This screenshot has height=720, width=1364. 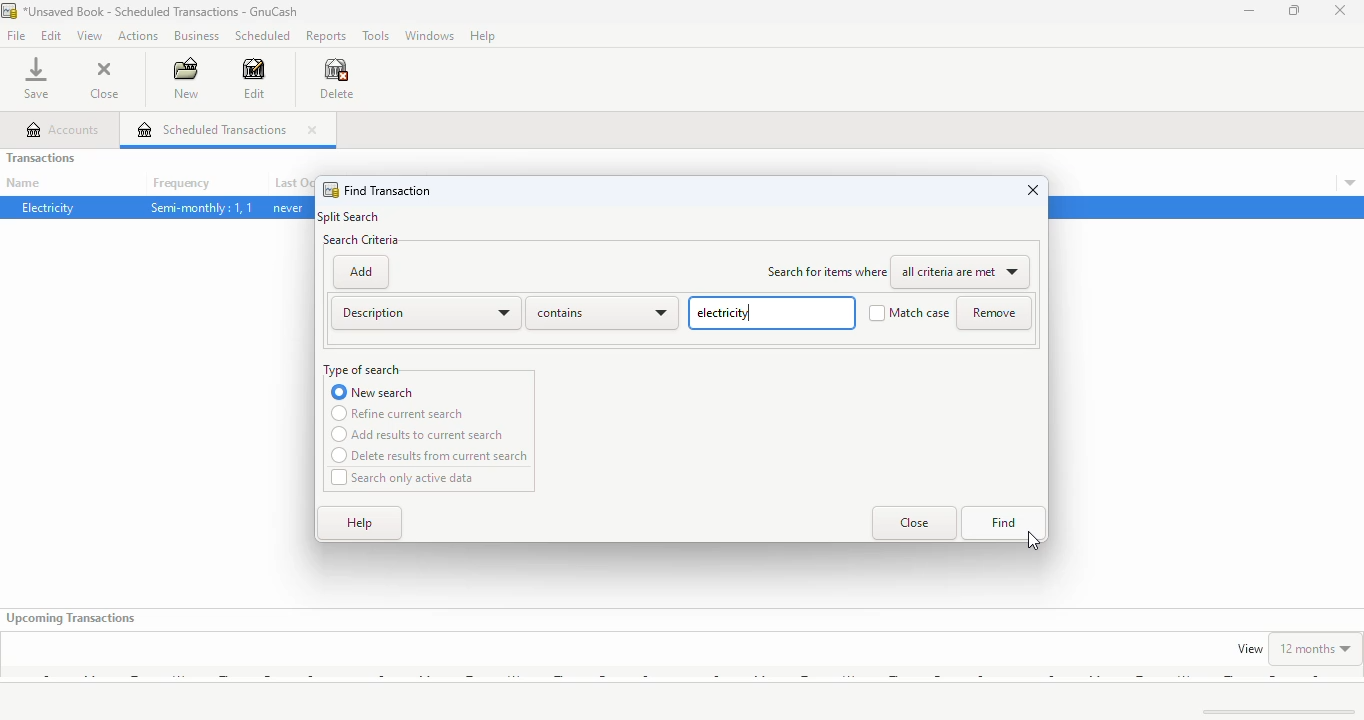 What do you see at coordinates (827, 272) in the screenshot?
I see `search for items where` at bounding box center [827, 272].